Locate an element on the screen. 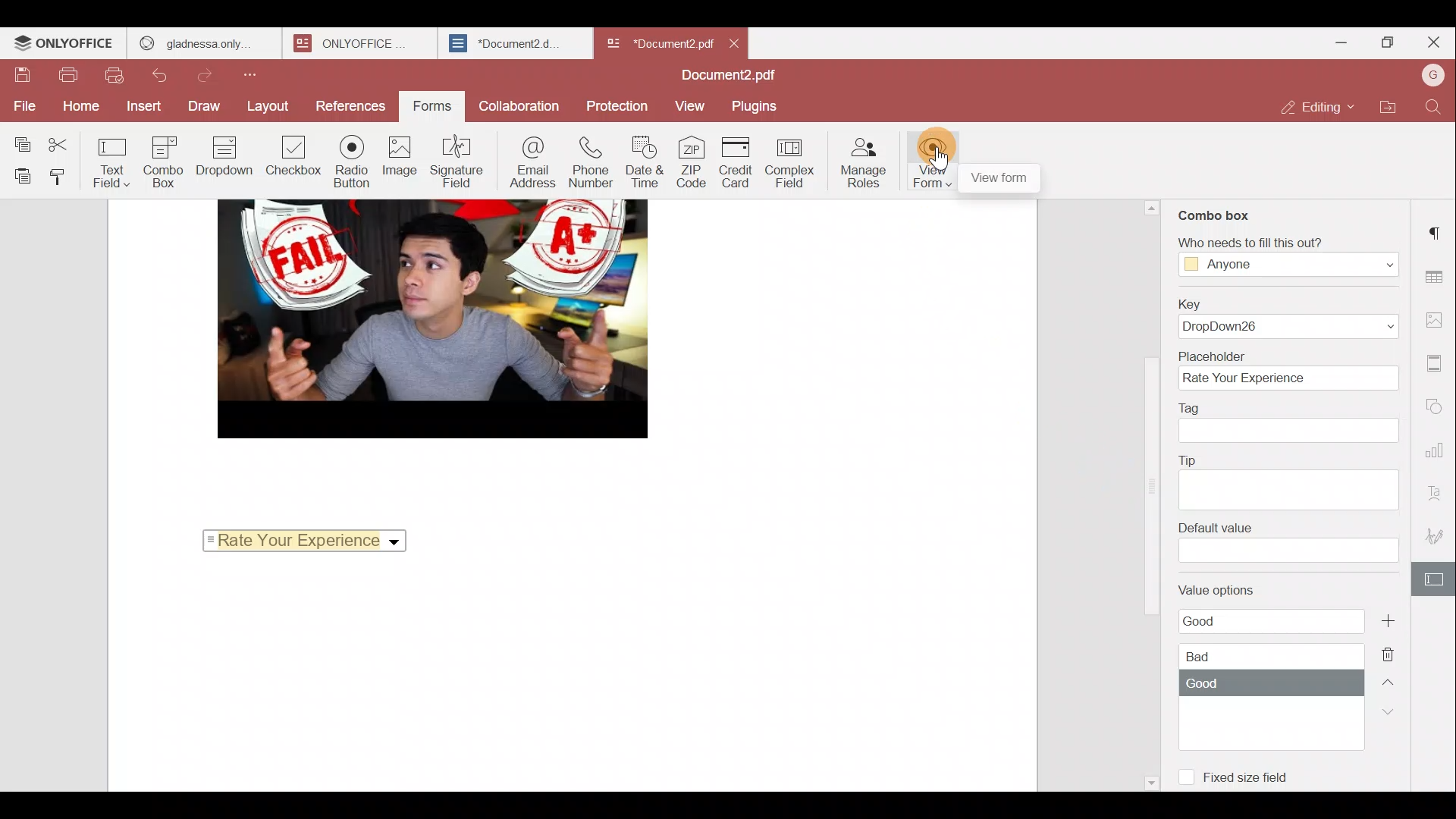 This screenshot has height=819, width=1456. Save is located at coordinates (23, 76).